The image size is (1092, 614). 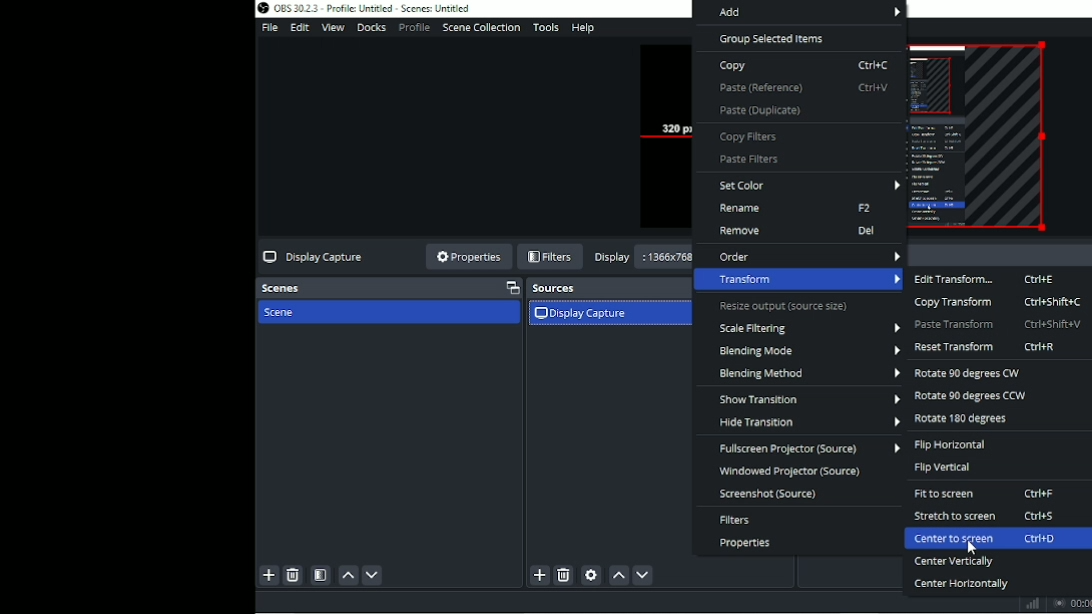 What do you see at coordinates (291, 313) in the screenshot?
I see `Scene` at bounding box center [291, 313].